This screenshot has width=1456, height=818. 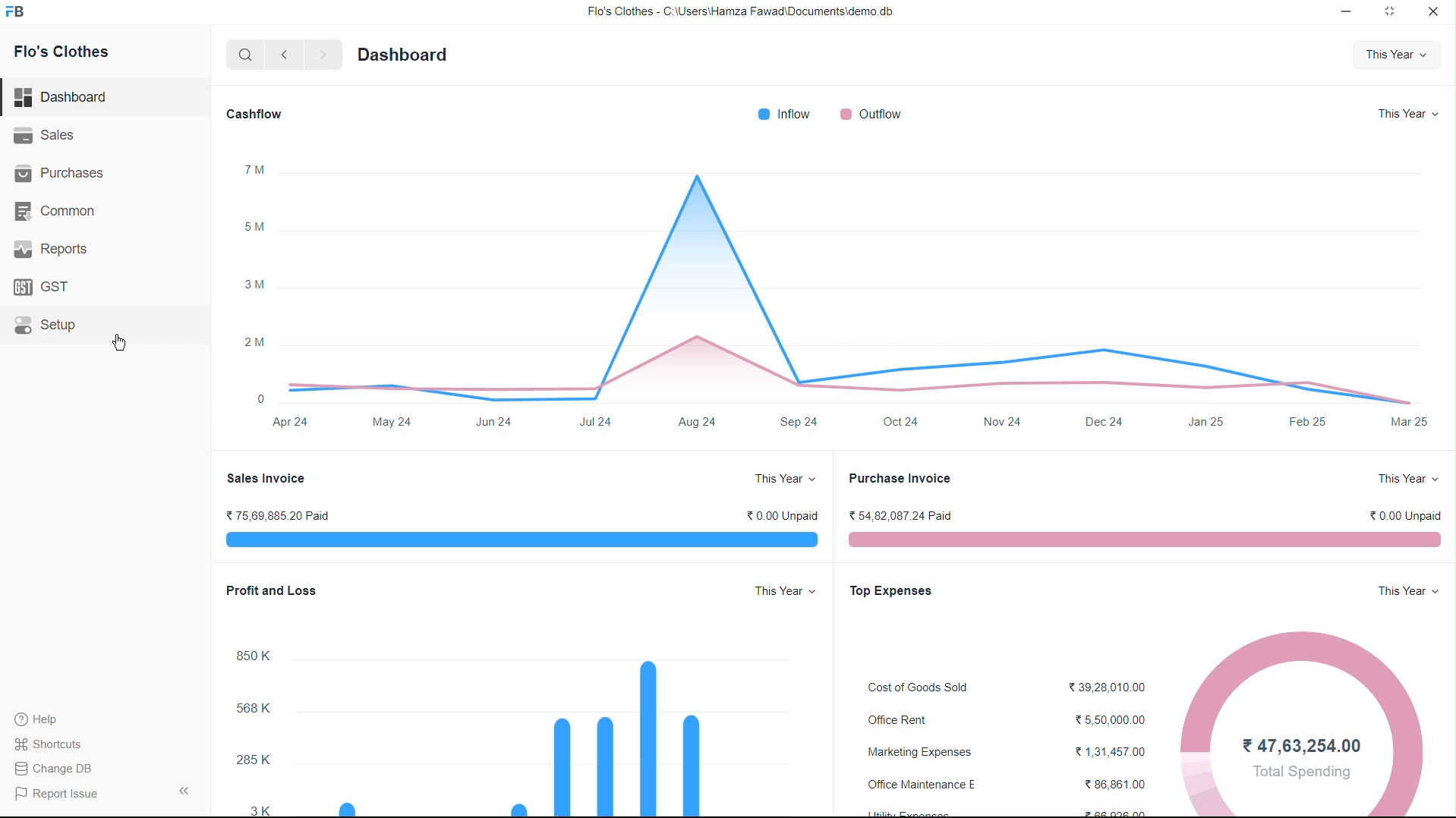 What do you see at coordinates (1303, 744) in the screenshot?
I see `47,63,254.00` at bounding box center [1303, 744].